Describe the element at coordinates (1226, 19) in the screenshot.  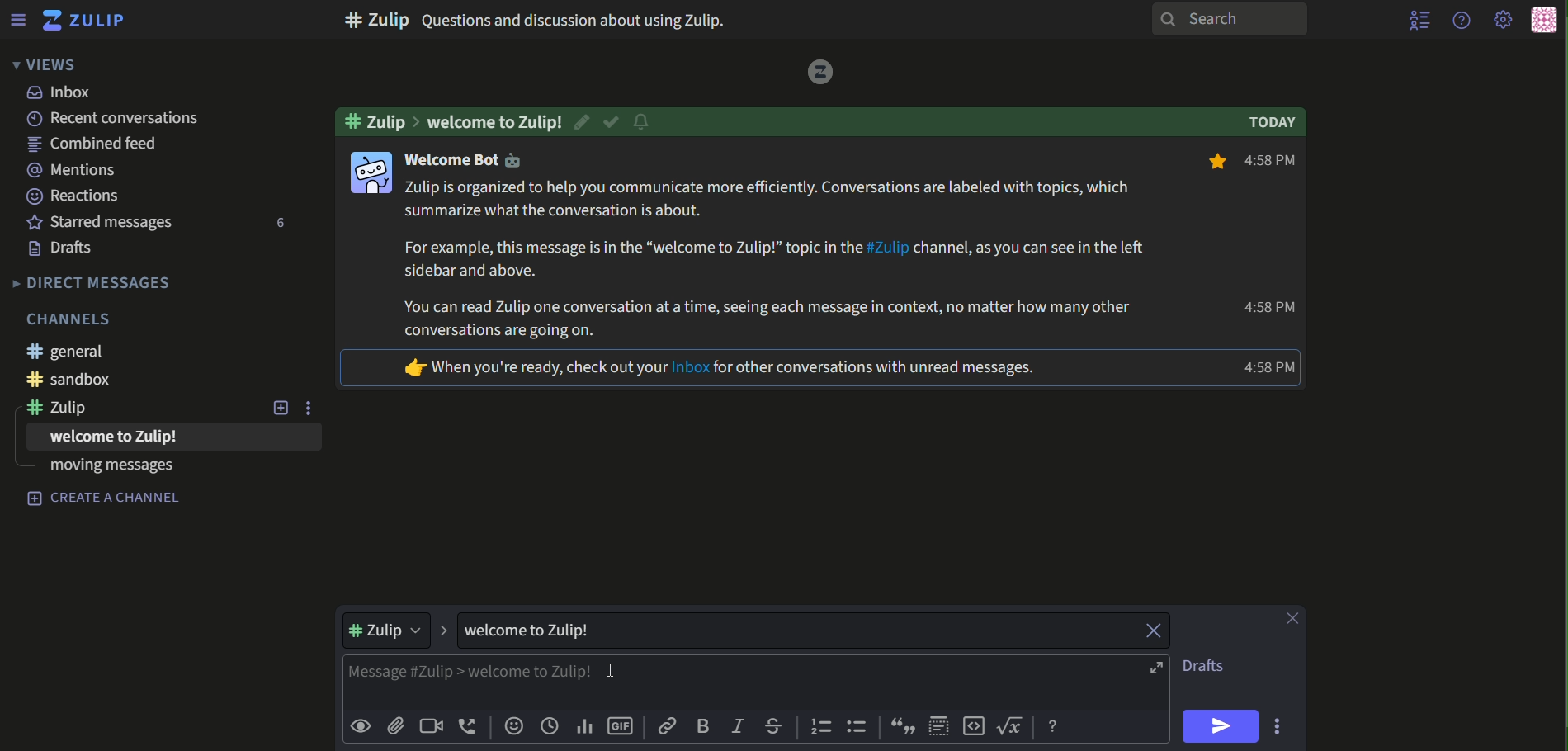
I see `search bar` at that location.